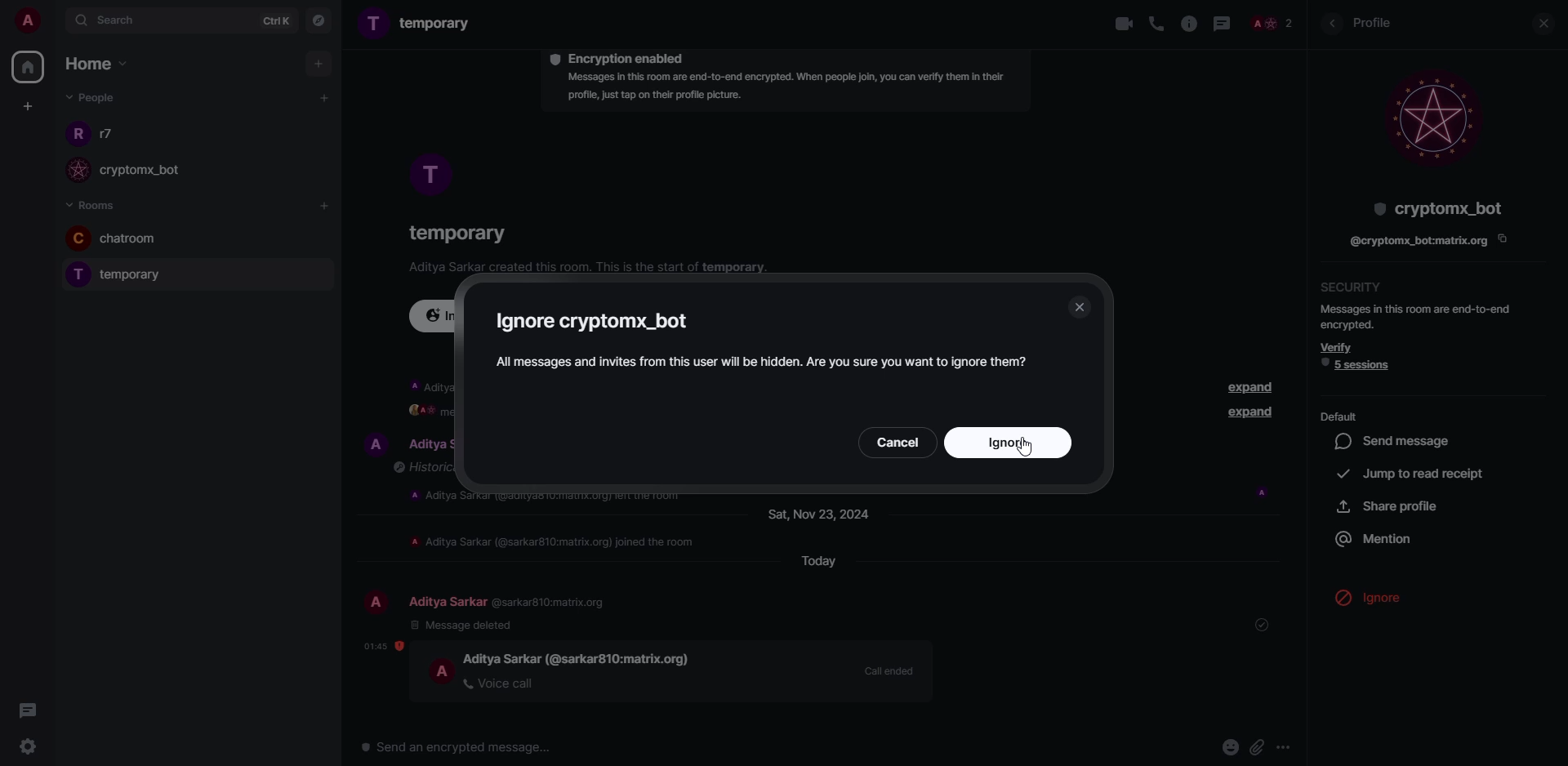  Describe the element at coordinates (430, 445) in the screenshot. I see `people` at that location.